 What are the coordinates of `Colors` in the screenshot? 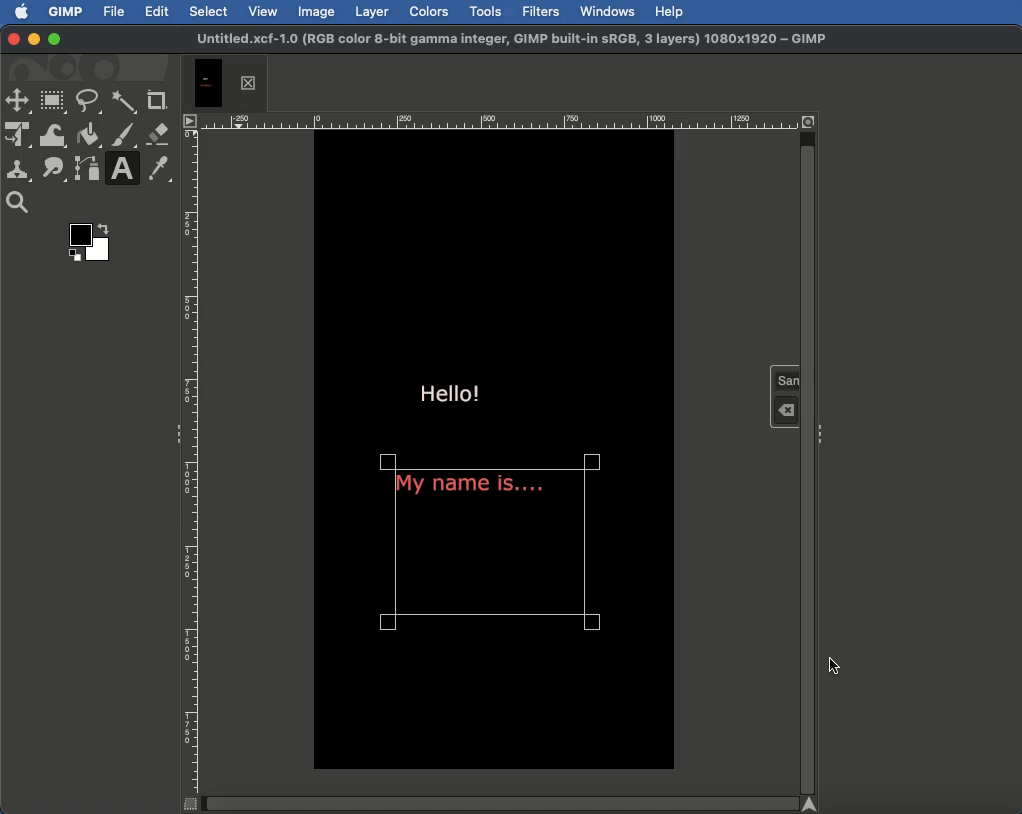 It's located at (428, 11).